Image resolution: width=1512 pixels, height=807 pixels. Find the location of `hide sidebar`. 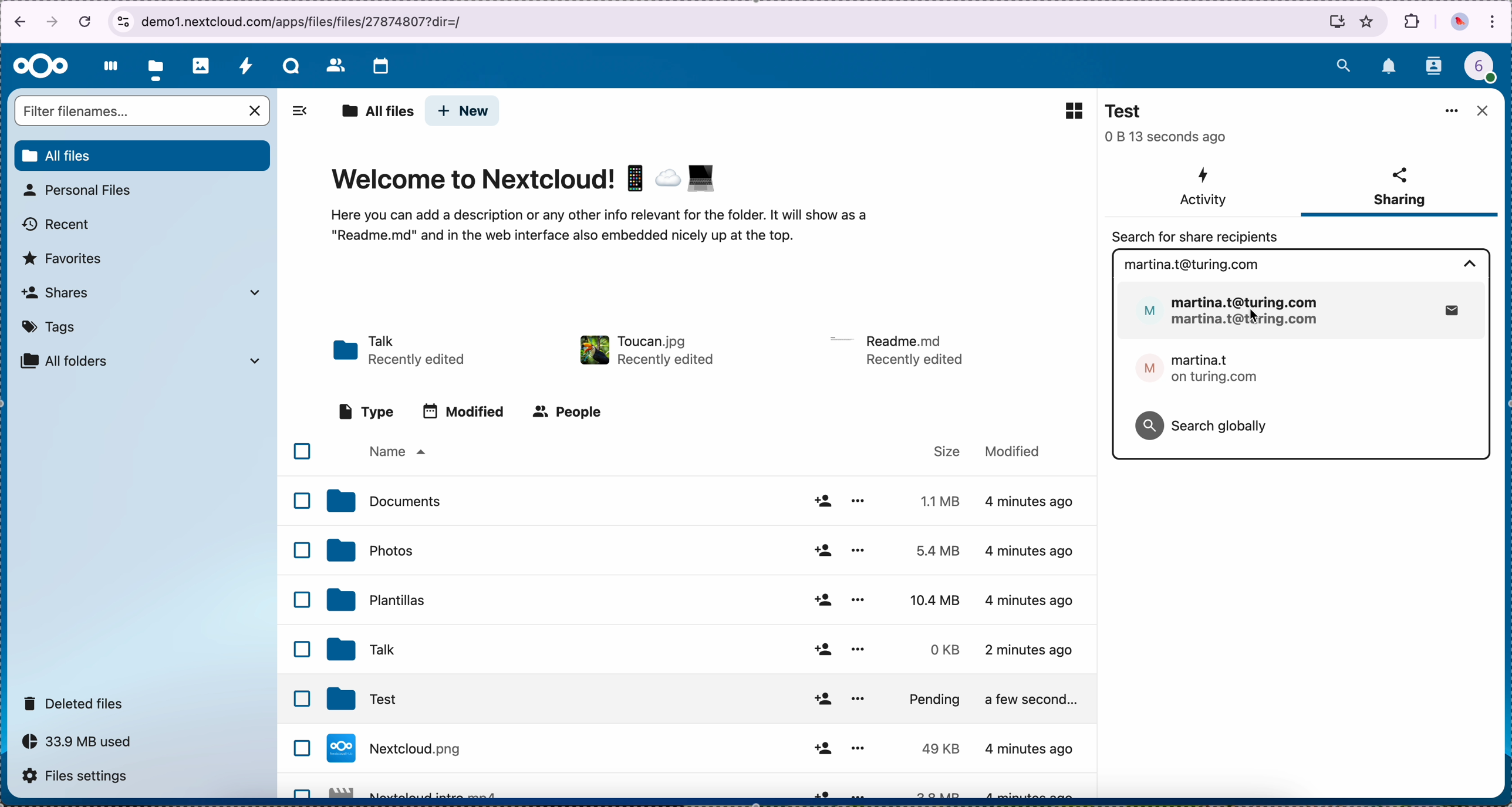

hide sidebar is located at coordinates (296, 115).